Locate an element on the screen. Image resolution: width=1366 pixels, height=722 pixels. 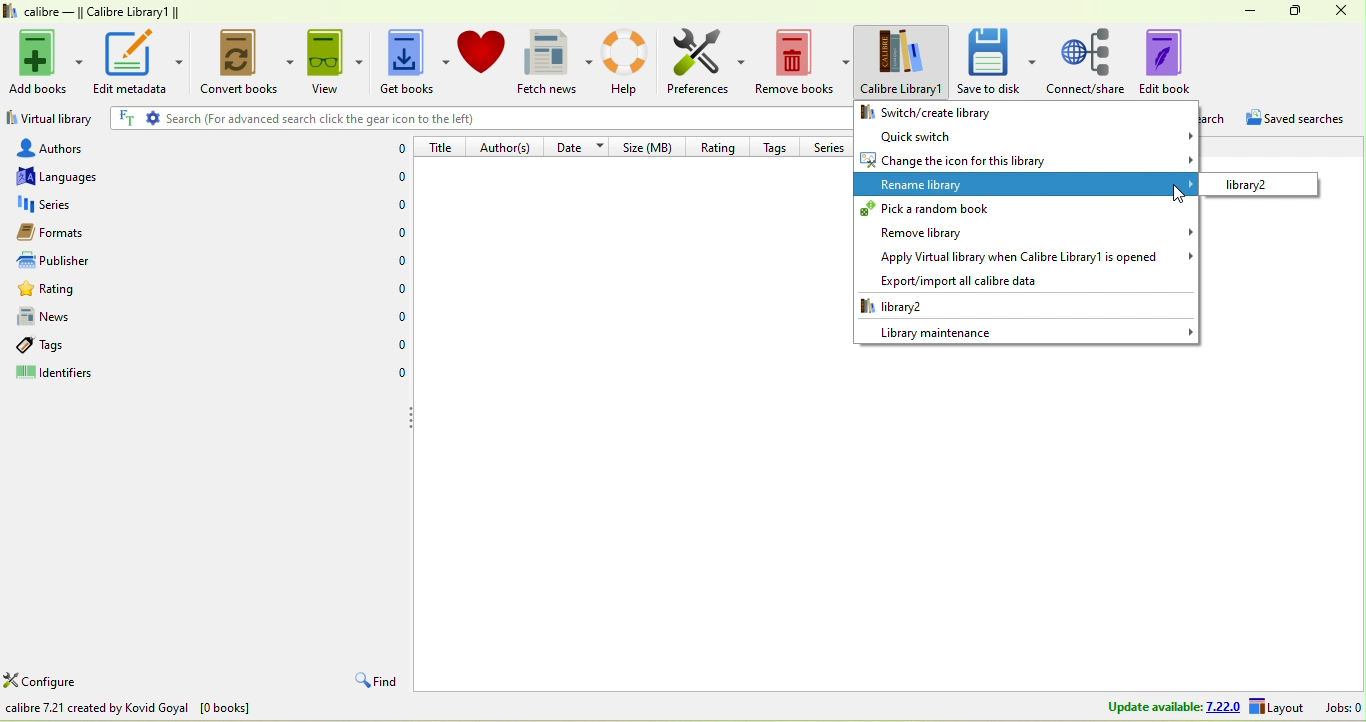
languages is located at coordinates (68, 176).